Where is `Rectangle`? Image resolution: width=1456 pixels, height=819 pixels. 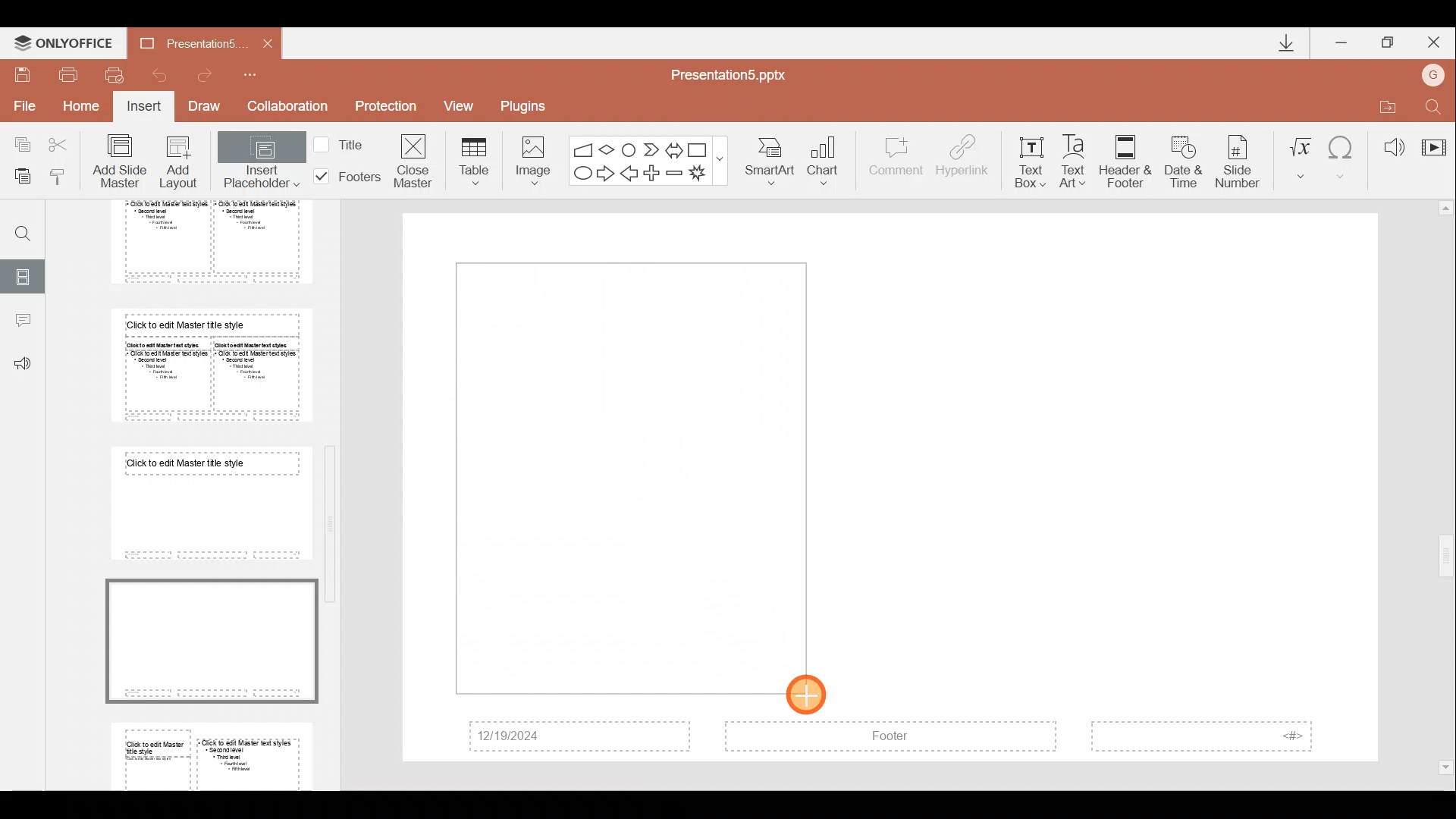 Rectangle is located at coordinates (699, 148).